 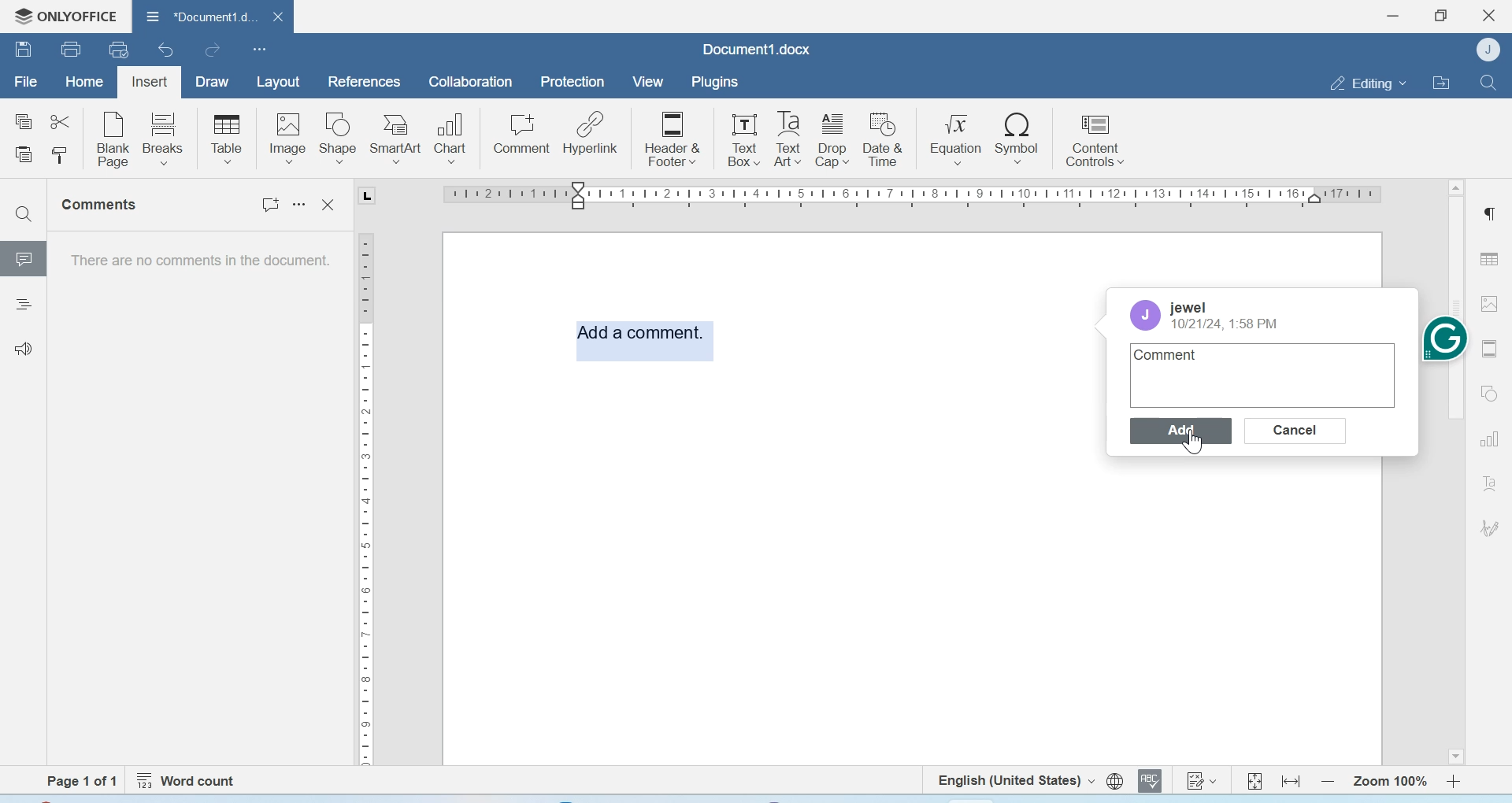 What do you see at coordinates (339, 139) in the screenshot?
I see `Shape` at bounding box center [339, 139].